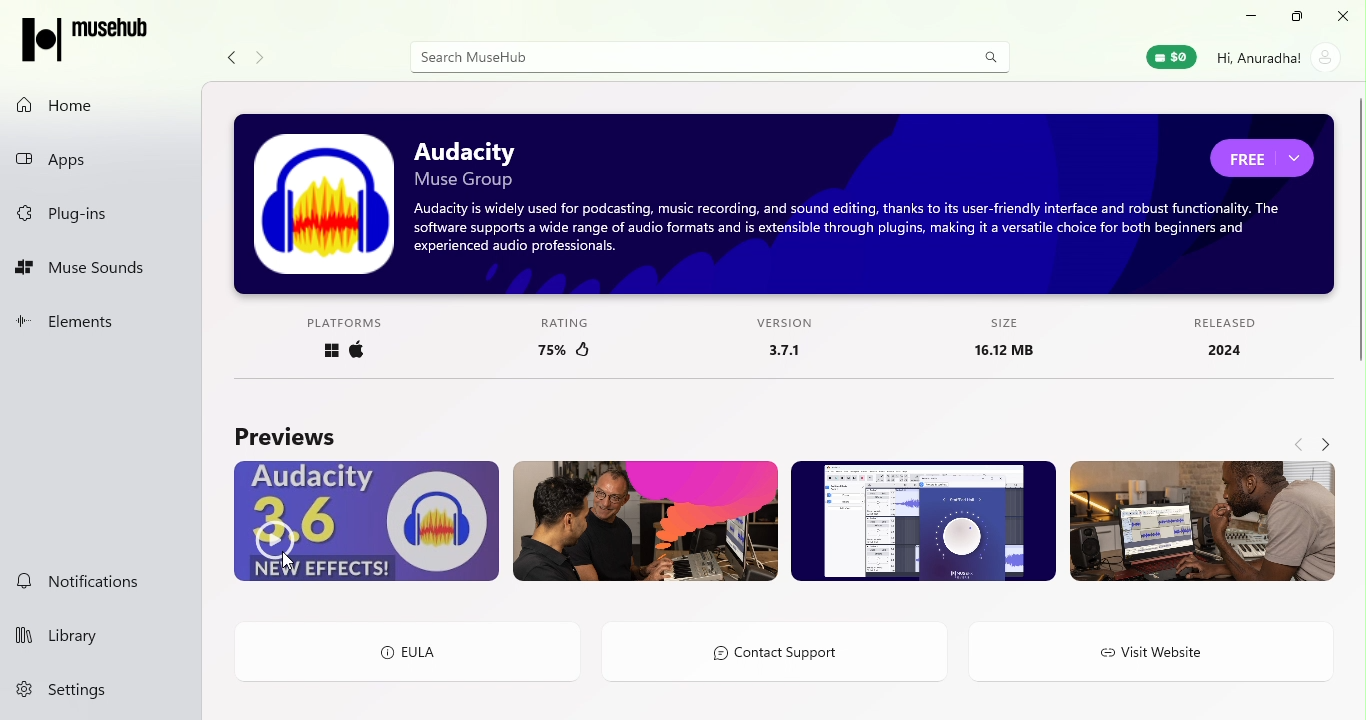  Describe the element at coordinates (992, 342) in the screenshot. I see `Size` at that location.